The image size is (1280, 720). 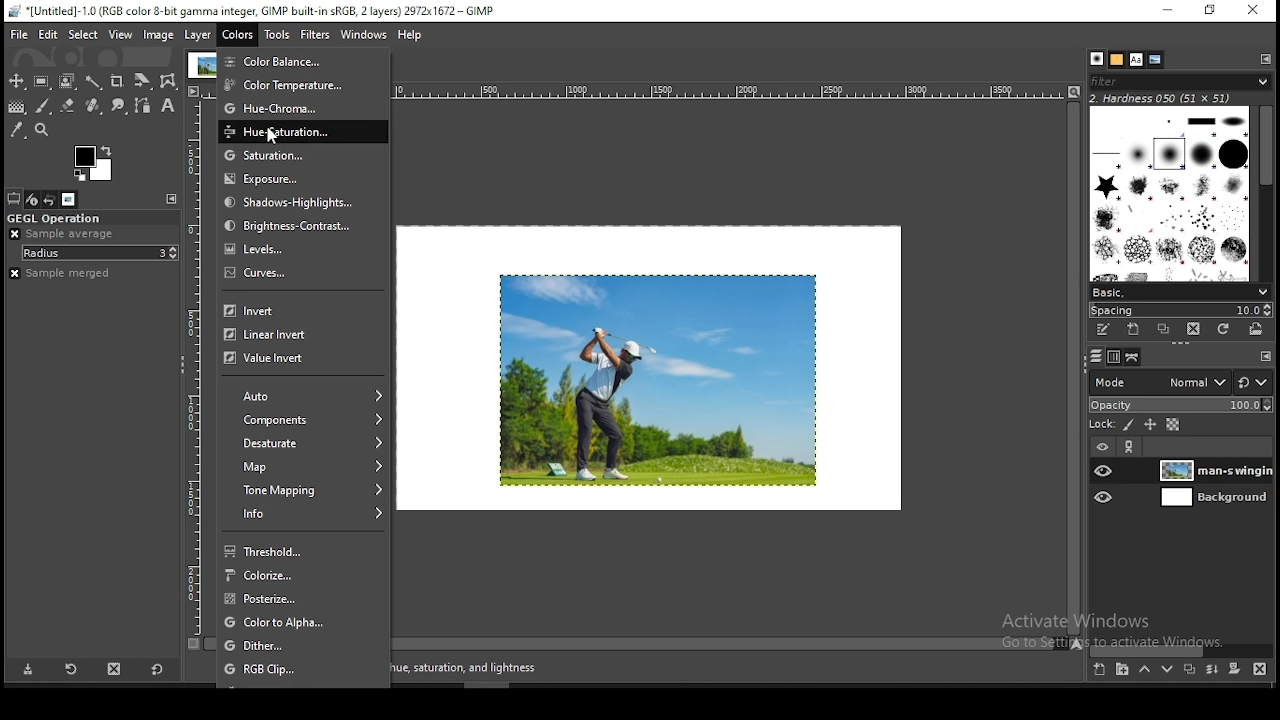 What do you see at coordinates (305, 598) in the screenshot?
I see `posterize` at bounding box center [305, 598].